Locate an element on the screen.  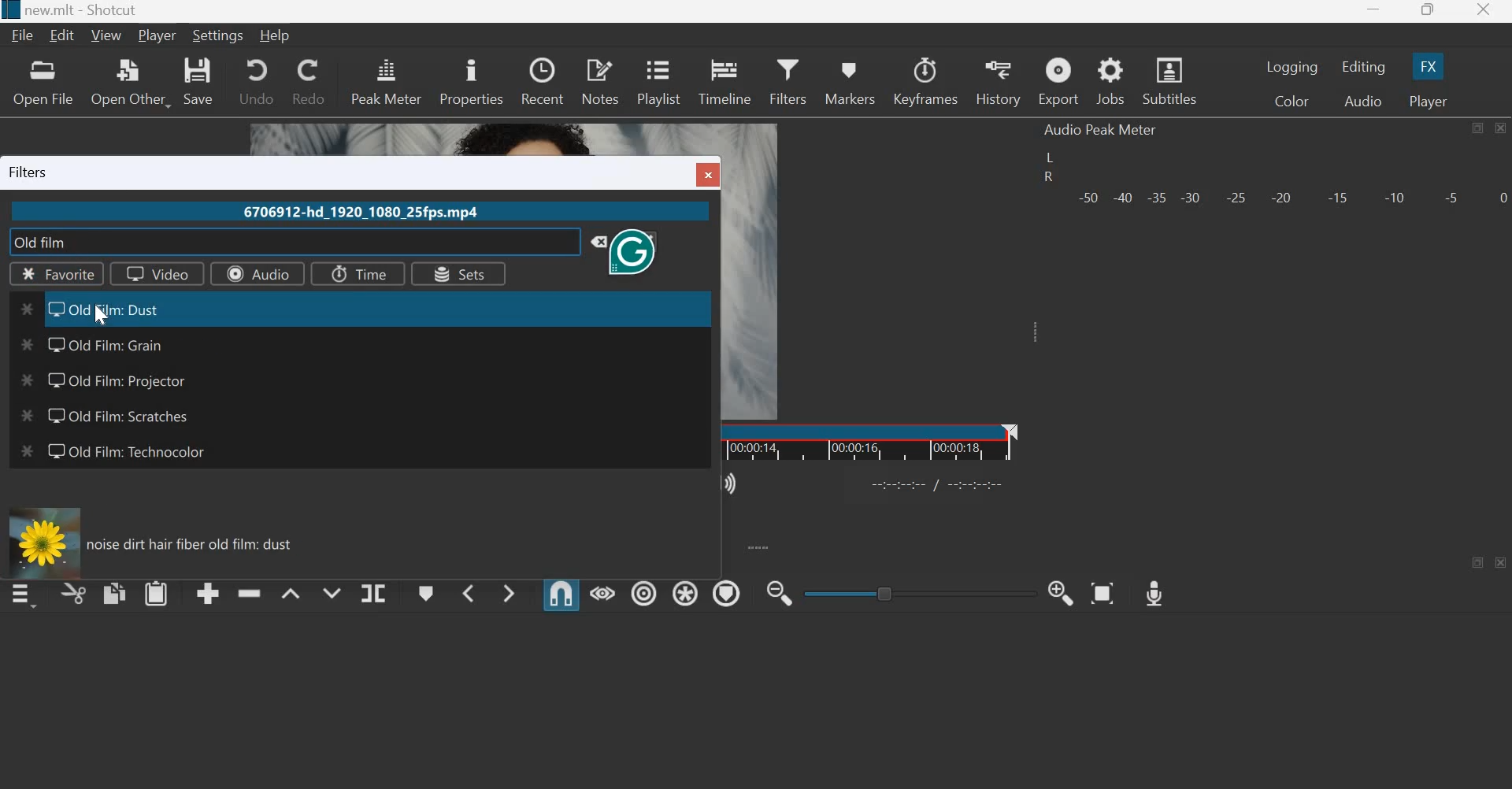
 is located at coordinates (22, 454).